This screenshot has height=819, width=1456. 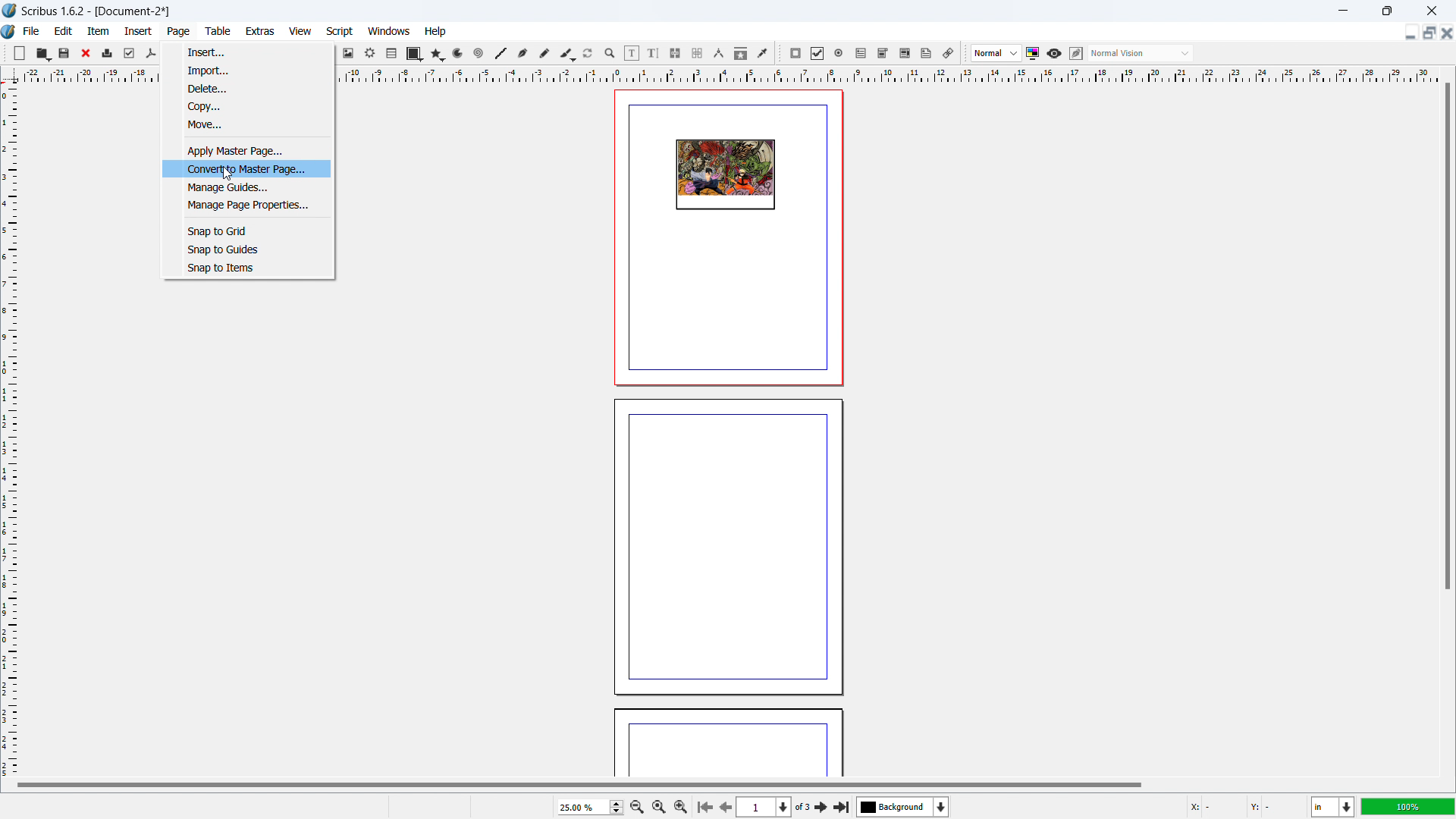 What do you see at coordinates (108, 52) in the screenshot?
I see `print` at bounding box center [108, 52].